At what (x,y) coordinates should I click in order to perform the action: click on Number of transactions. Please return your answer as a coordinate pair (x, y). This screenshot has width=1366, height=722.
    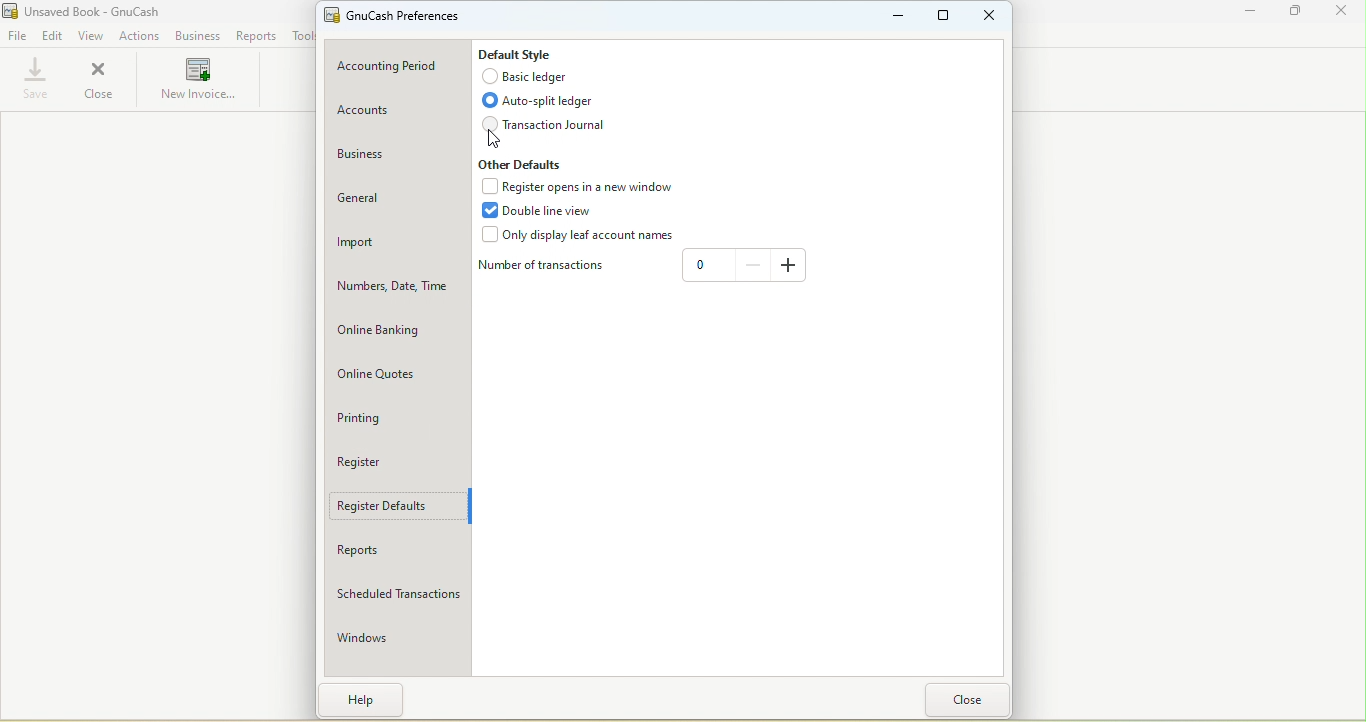
    Looking at the image, I should click on (545, 269).